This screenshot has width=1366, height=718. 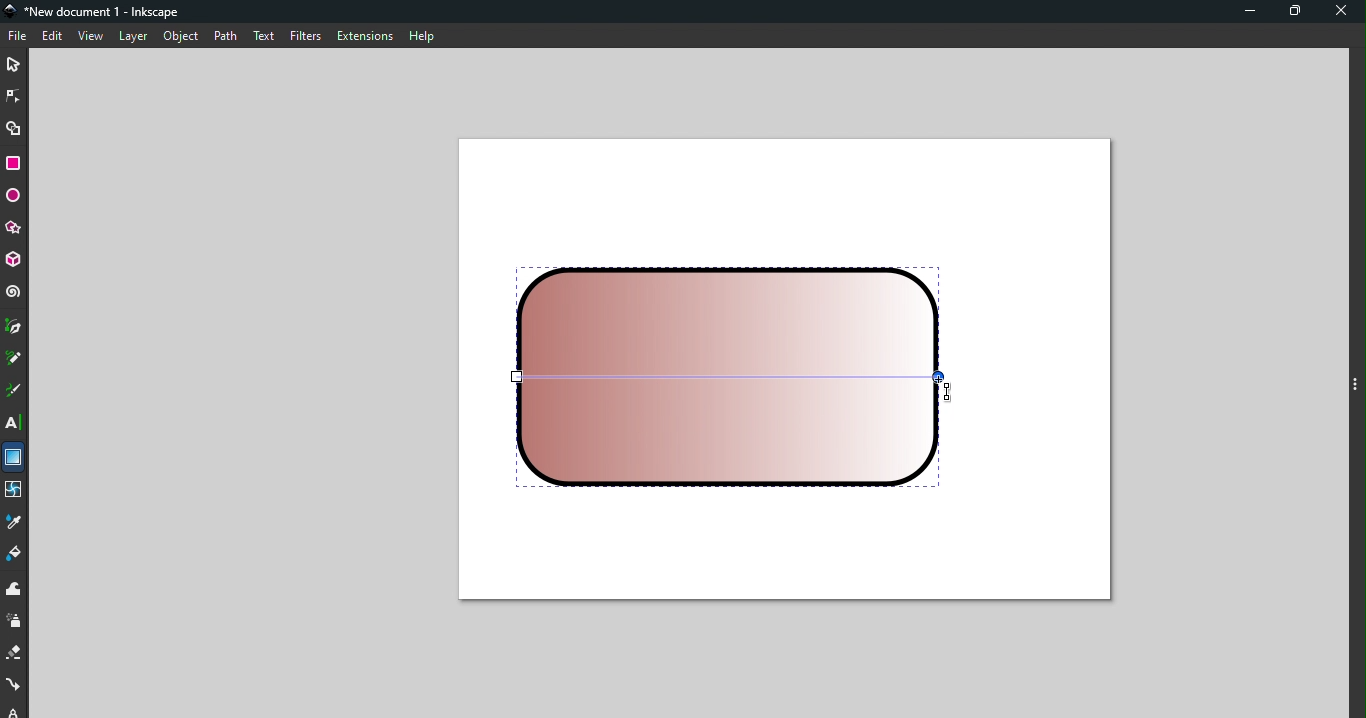 I want to click on Rectangle tool, so click(x=17, y=163).